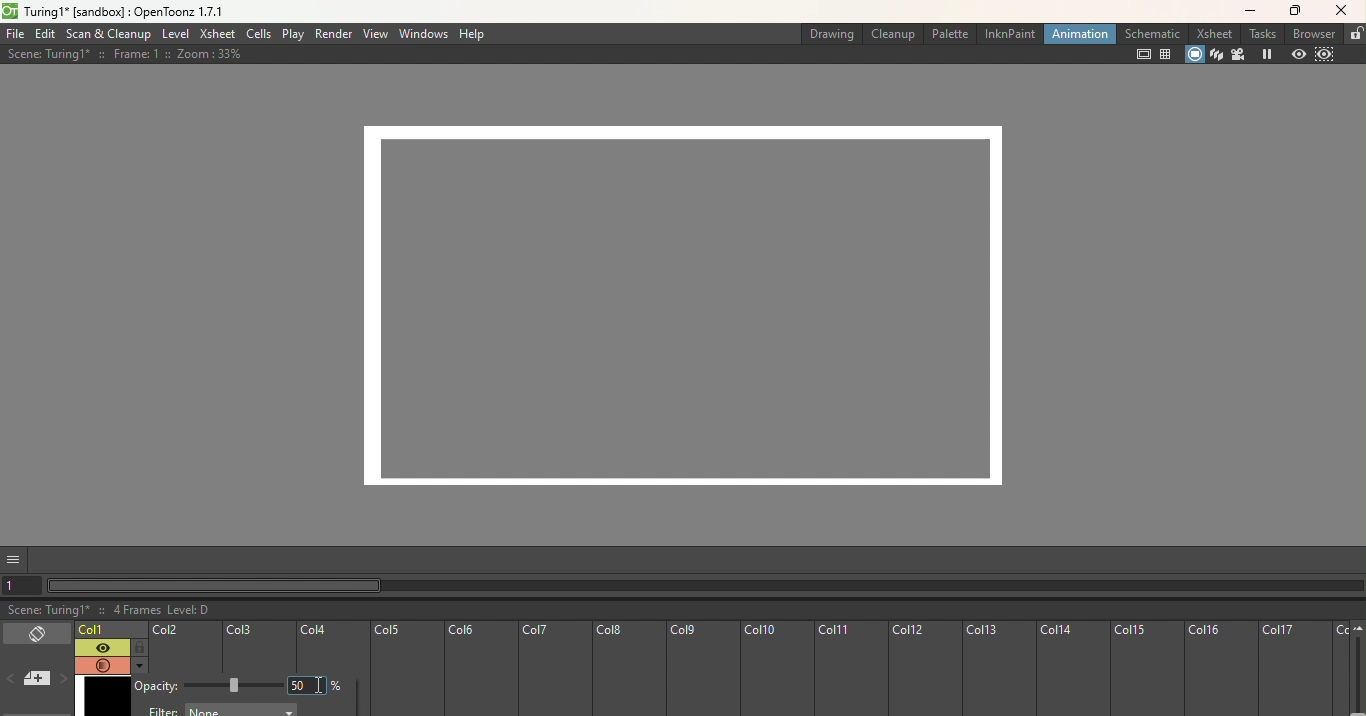 This screenshot has height=716, width=1366. I want to click on Col15, so click(1148, 669).